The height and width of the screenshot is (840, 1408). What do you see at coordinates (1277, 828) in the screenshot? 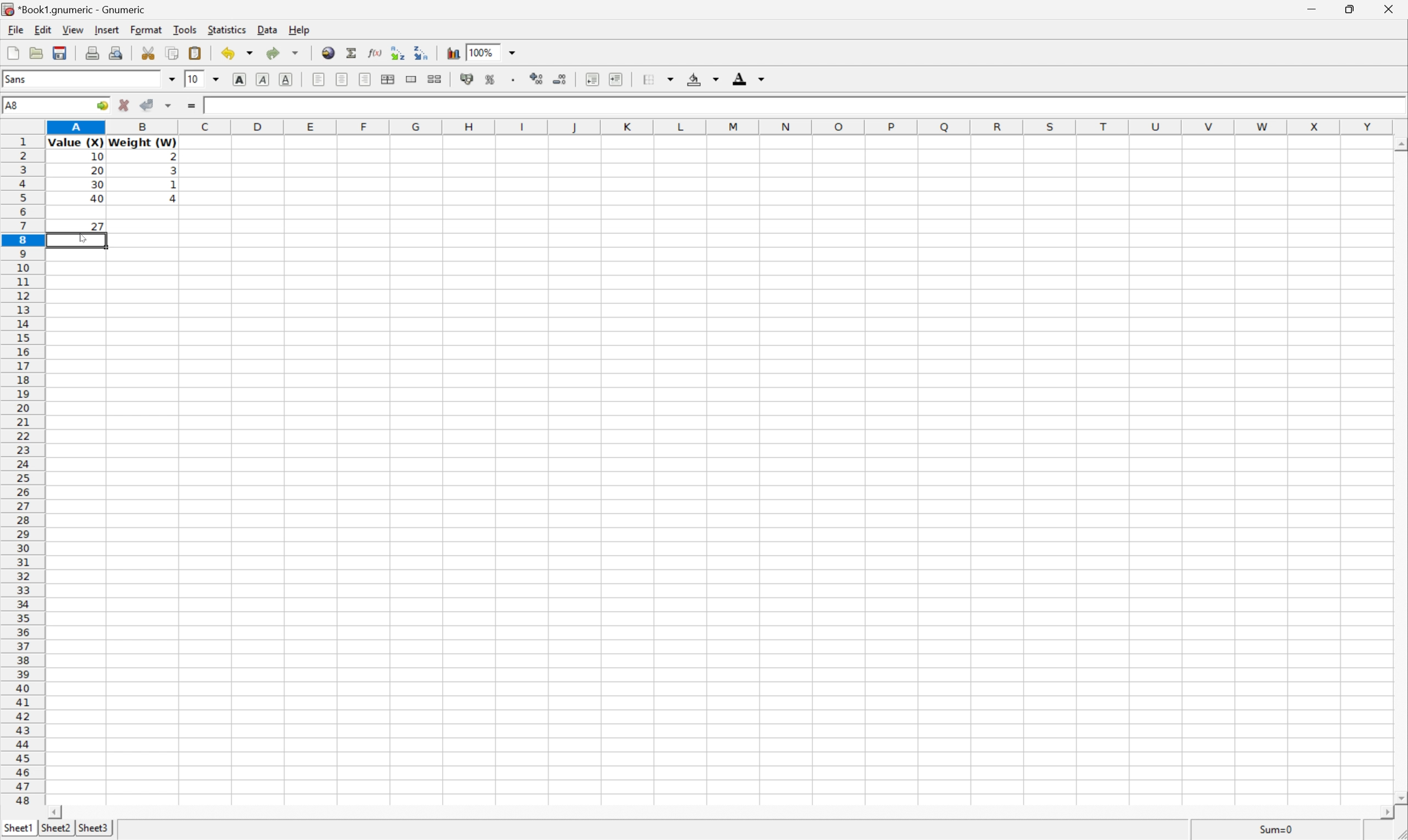
I see `Sum = 0` at bounding box center [1277, 828].